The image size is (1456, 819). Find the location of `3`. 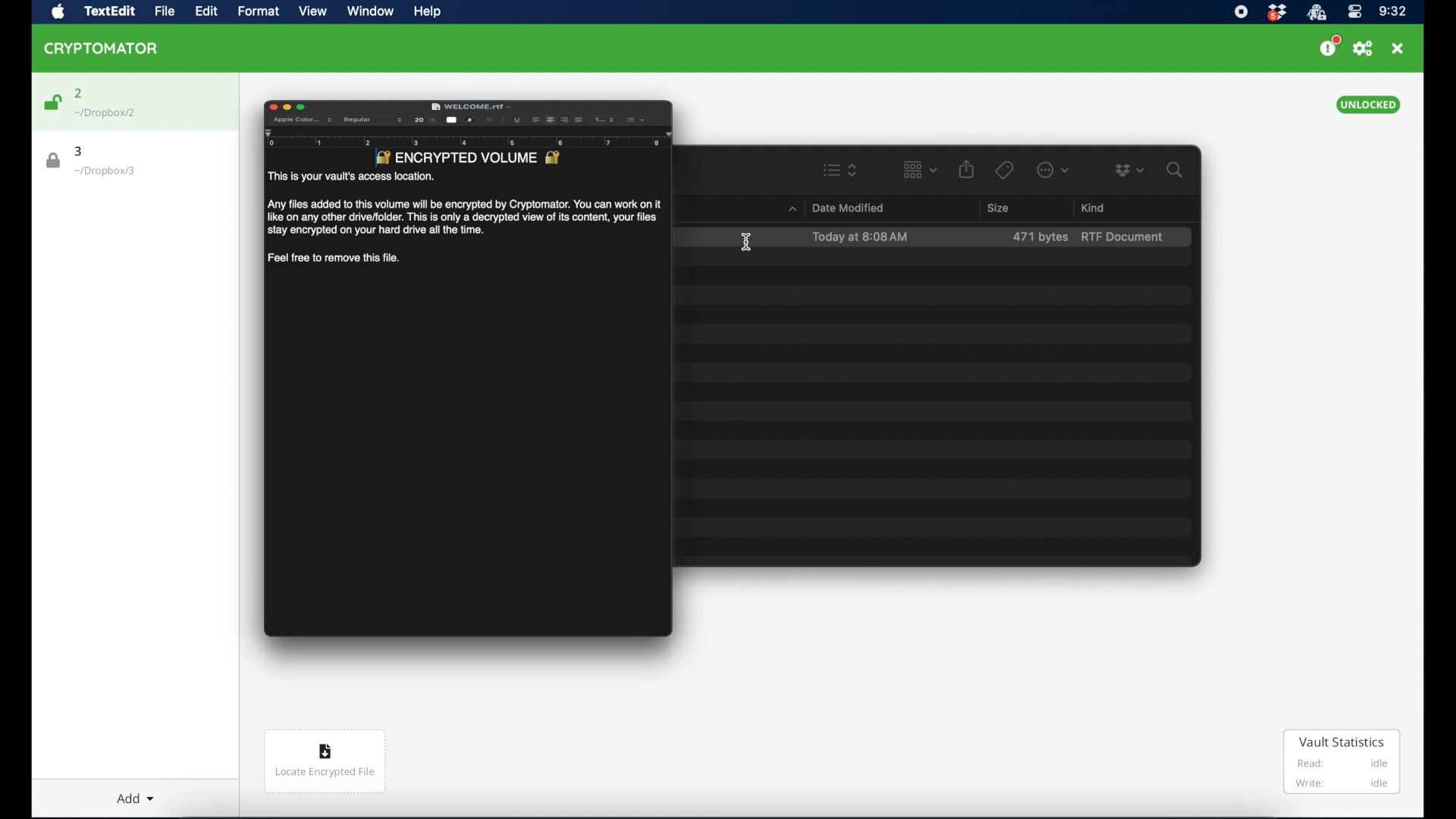

3 is located at coordinates (83, 151).